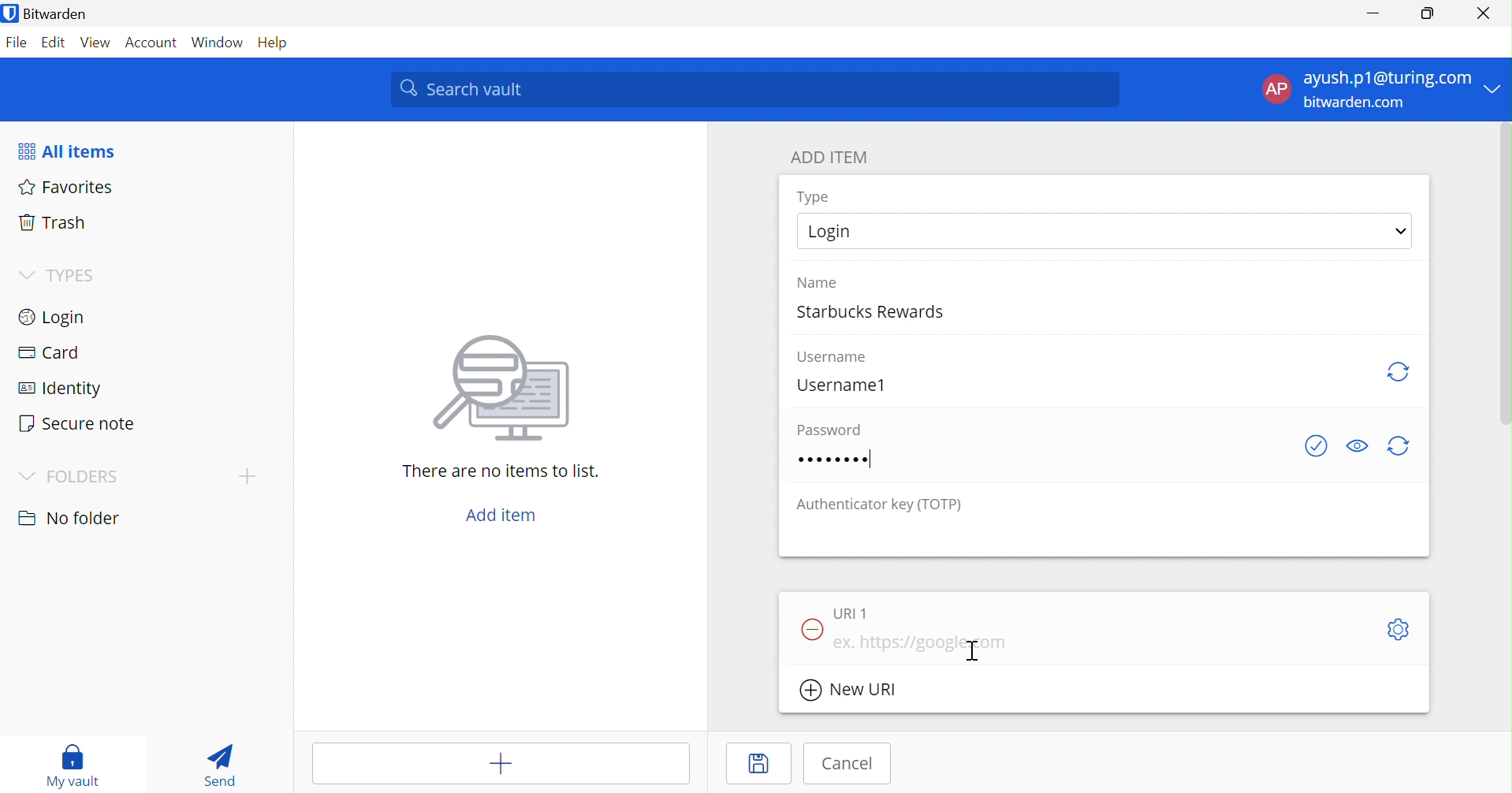 The width and height of the screenshot is (1512, 793). What do you see at coordinates (59, 390) in the screenshot?
I see `Identify` at bounding box center [59, 390].